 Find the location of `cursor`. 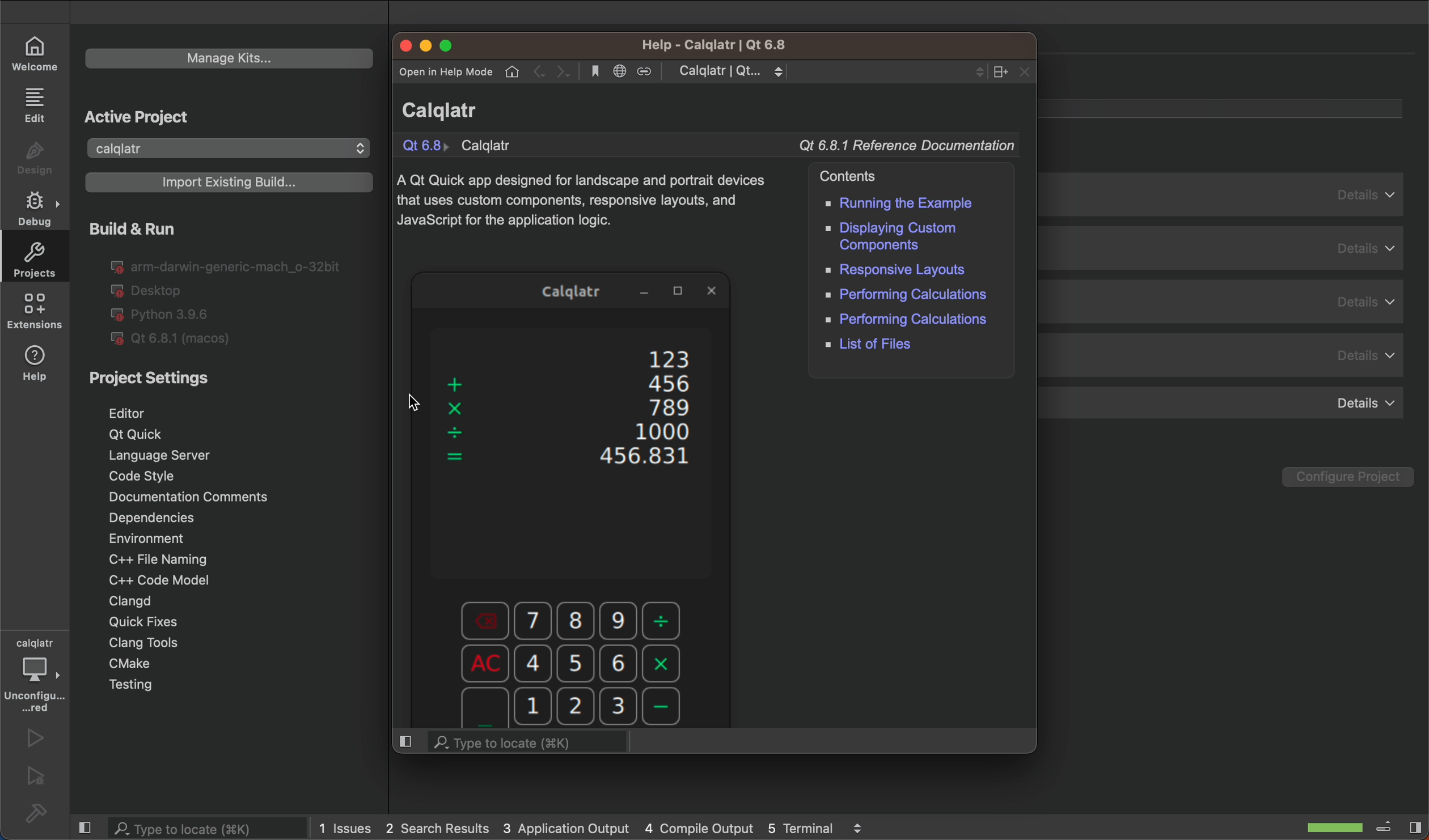

cursor is located at coordinates (425, 403).